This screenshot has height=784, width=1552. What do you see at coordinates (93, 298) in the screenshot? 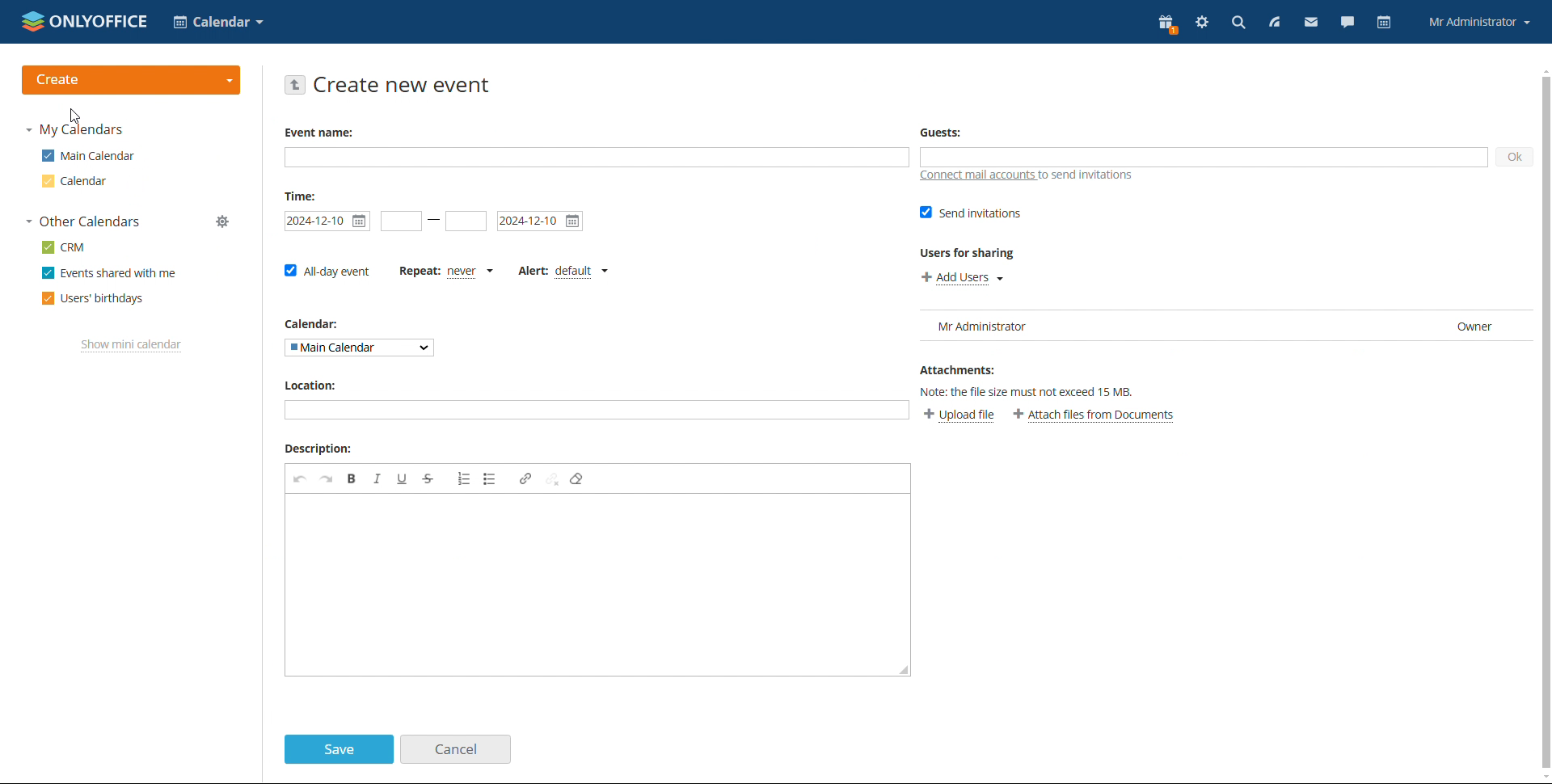
I see `users' birthdays` at bounding box center [93, 298].